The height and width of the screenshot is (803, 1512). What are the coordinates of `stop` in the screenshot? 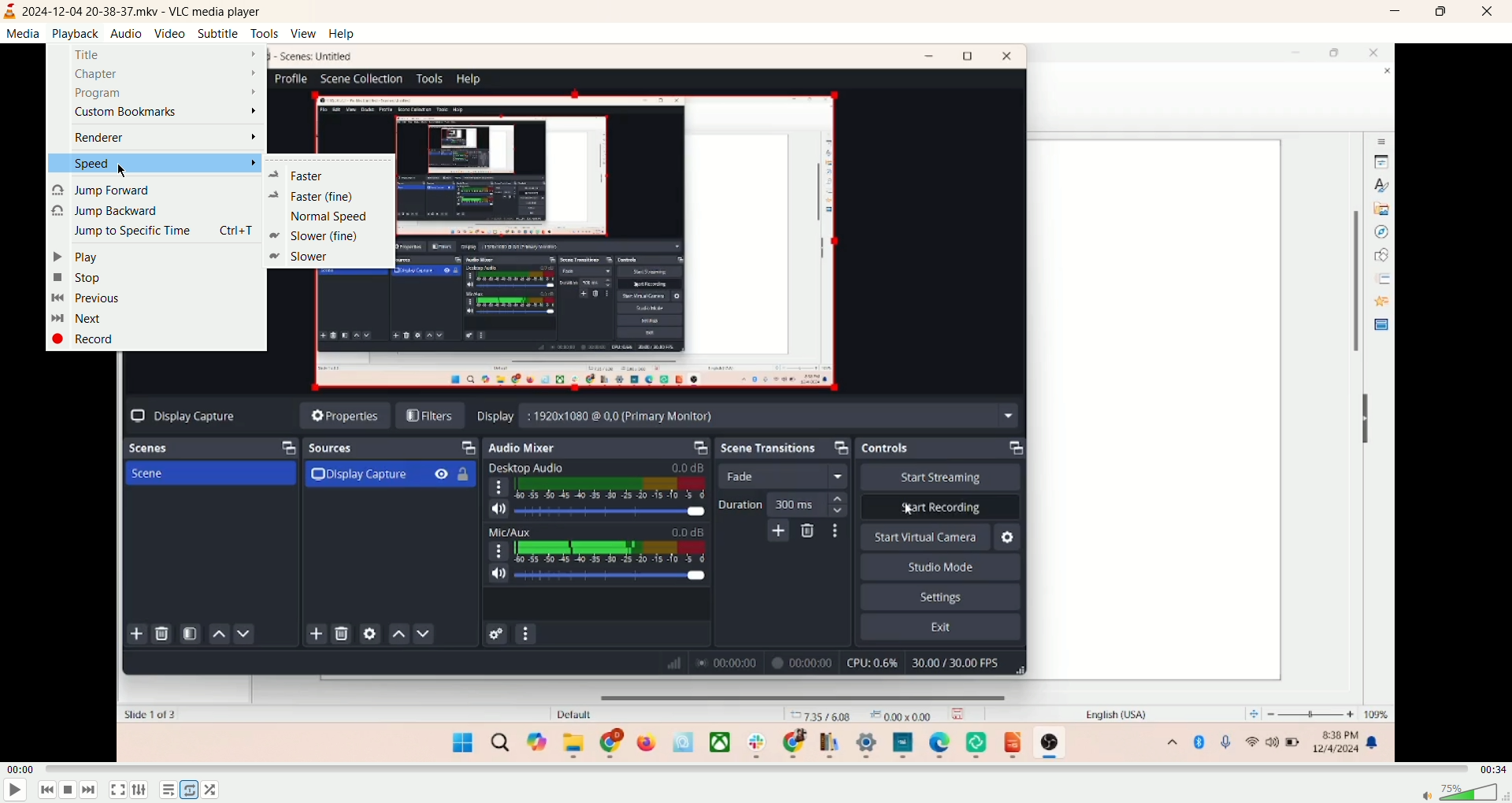 It's located at (78, 277).